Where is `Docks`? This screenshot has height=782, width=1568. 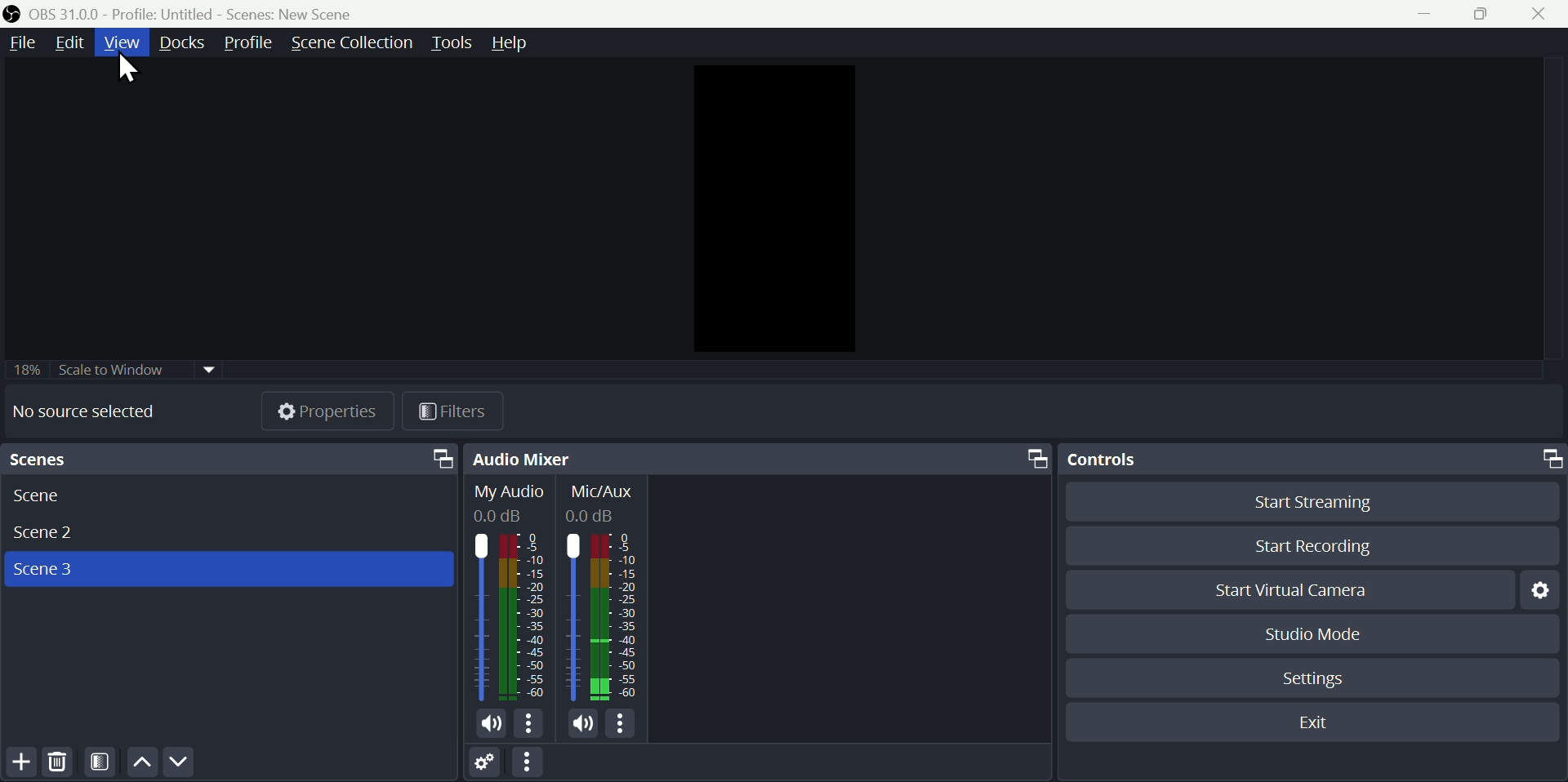 Docks is located at coordinates (186, 43).